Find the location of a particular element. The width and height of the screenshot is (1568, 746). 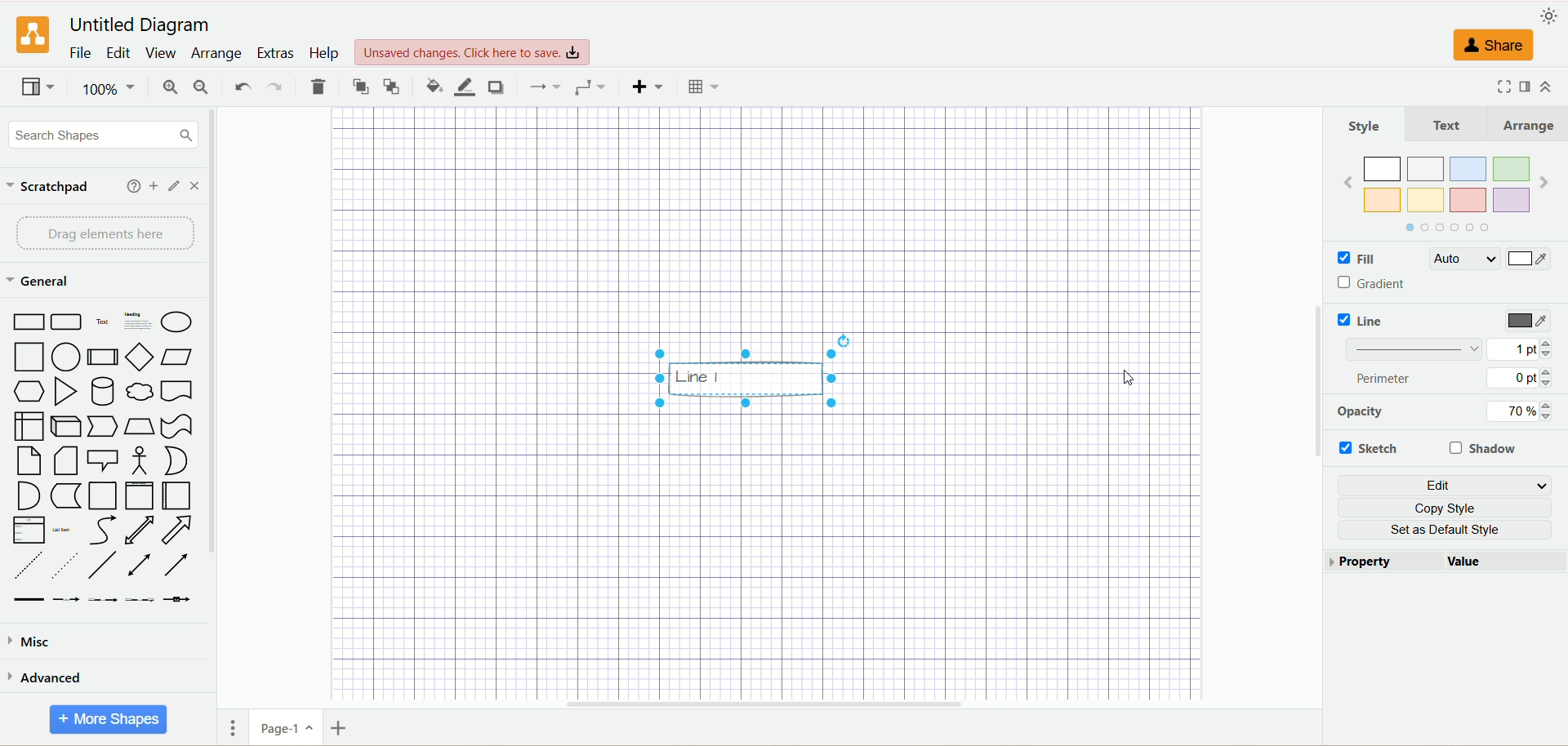

Connector with 2 labels is located at coordinates (100, 601).